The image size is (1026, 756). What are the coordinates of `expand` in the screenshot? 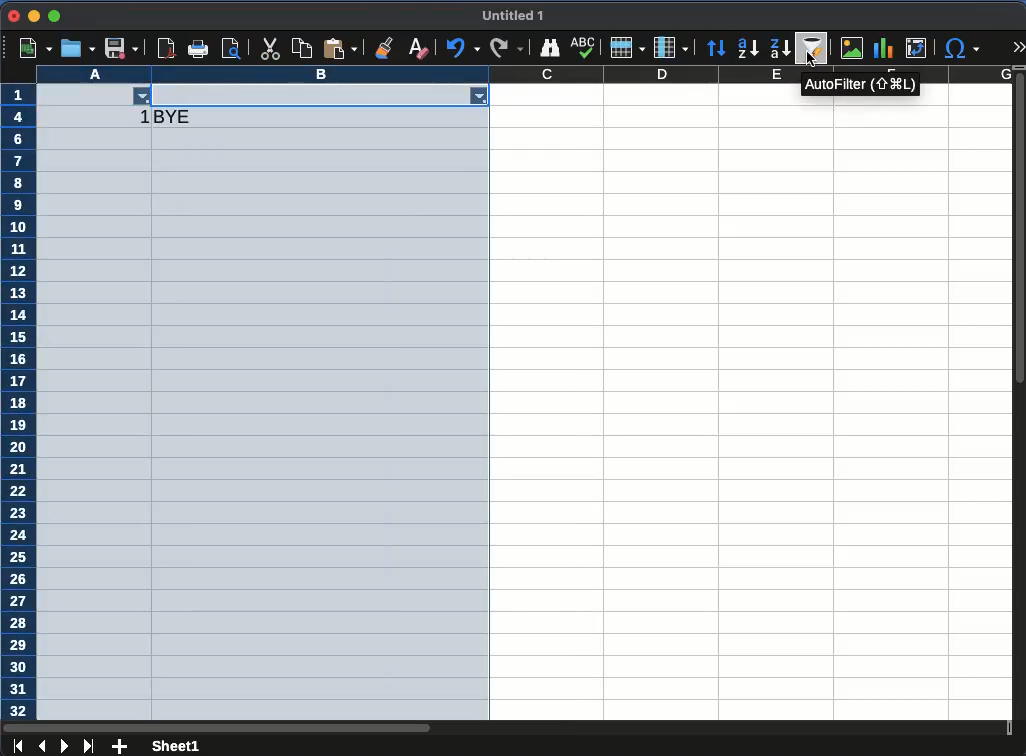 It's located at (1020, 47).